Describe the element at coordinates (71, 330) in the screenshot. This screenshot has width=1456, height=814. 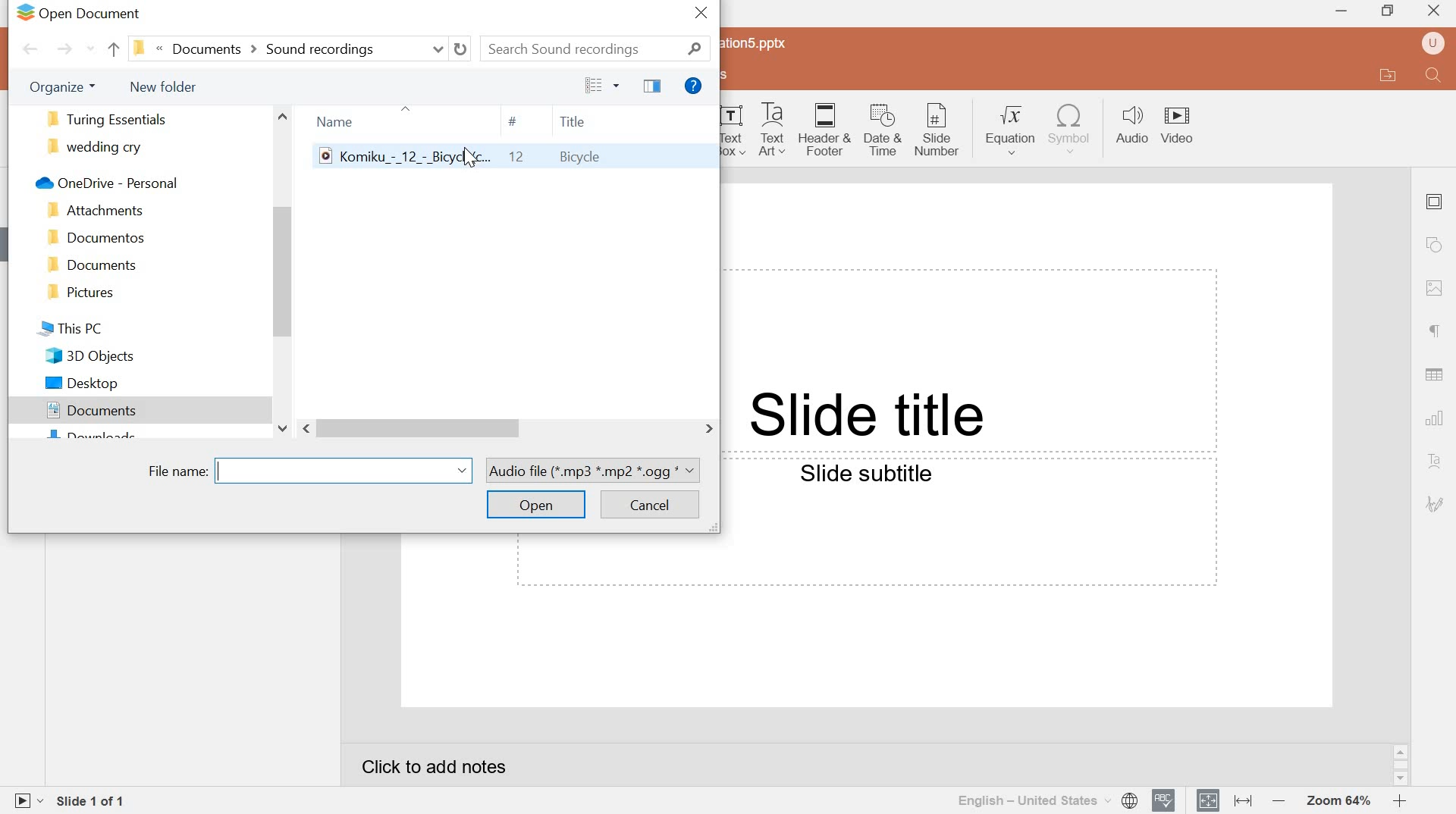
I see `this pc` at that location.